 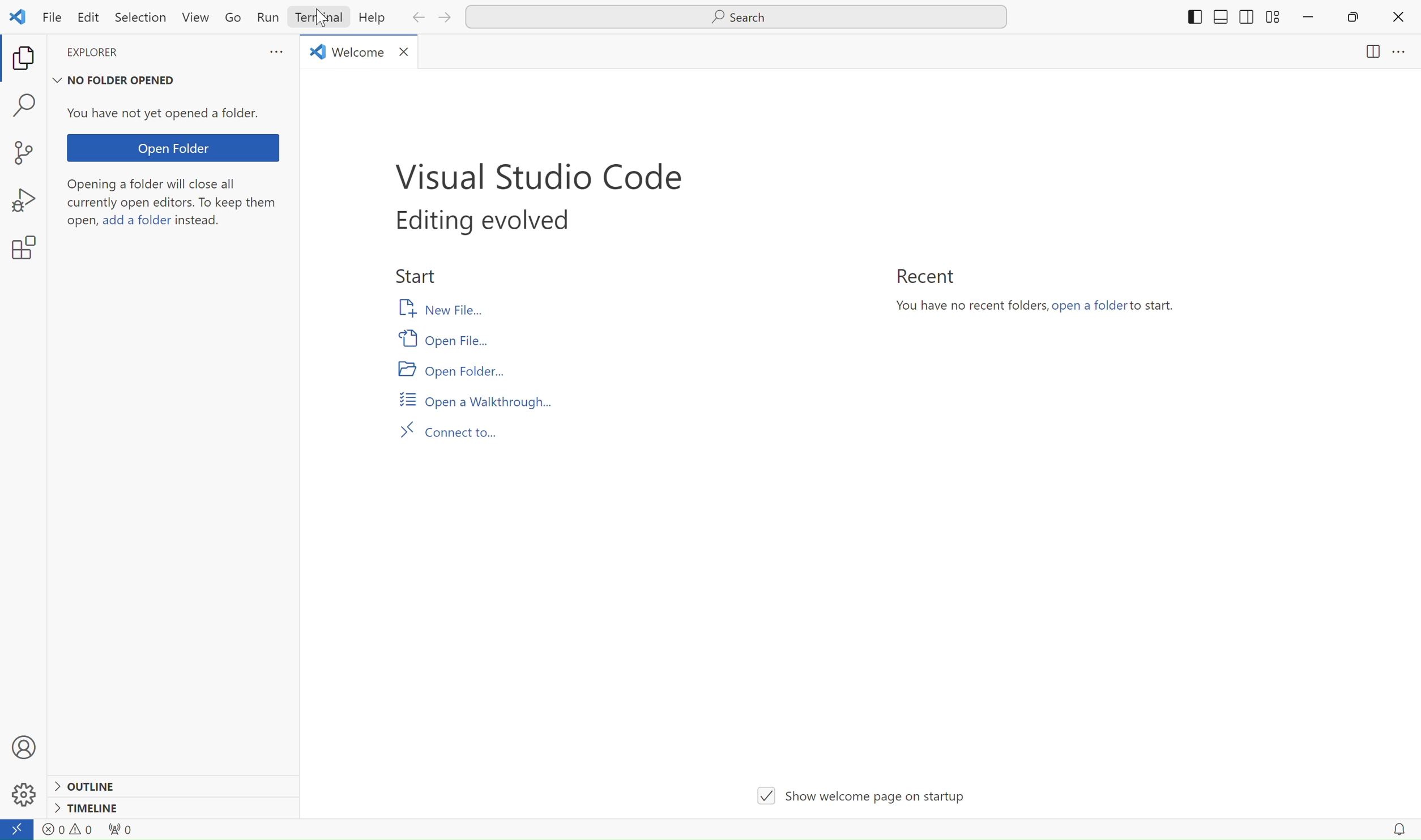 What do you see at coordinates (476, 397) in the screenshot?
I see `Open a walkthrough` at bounding box center [476, 397].